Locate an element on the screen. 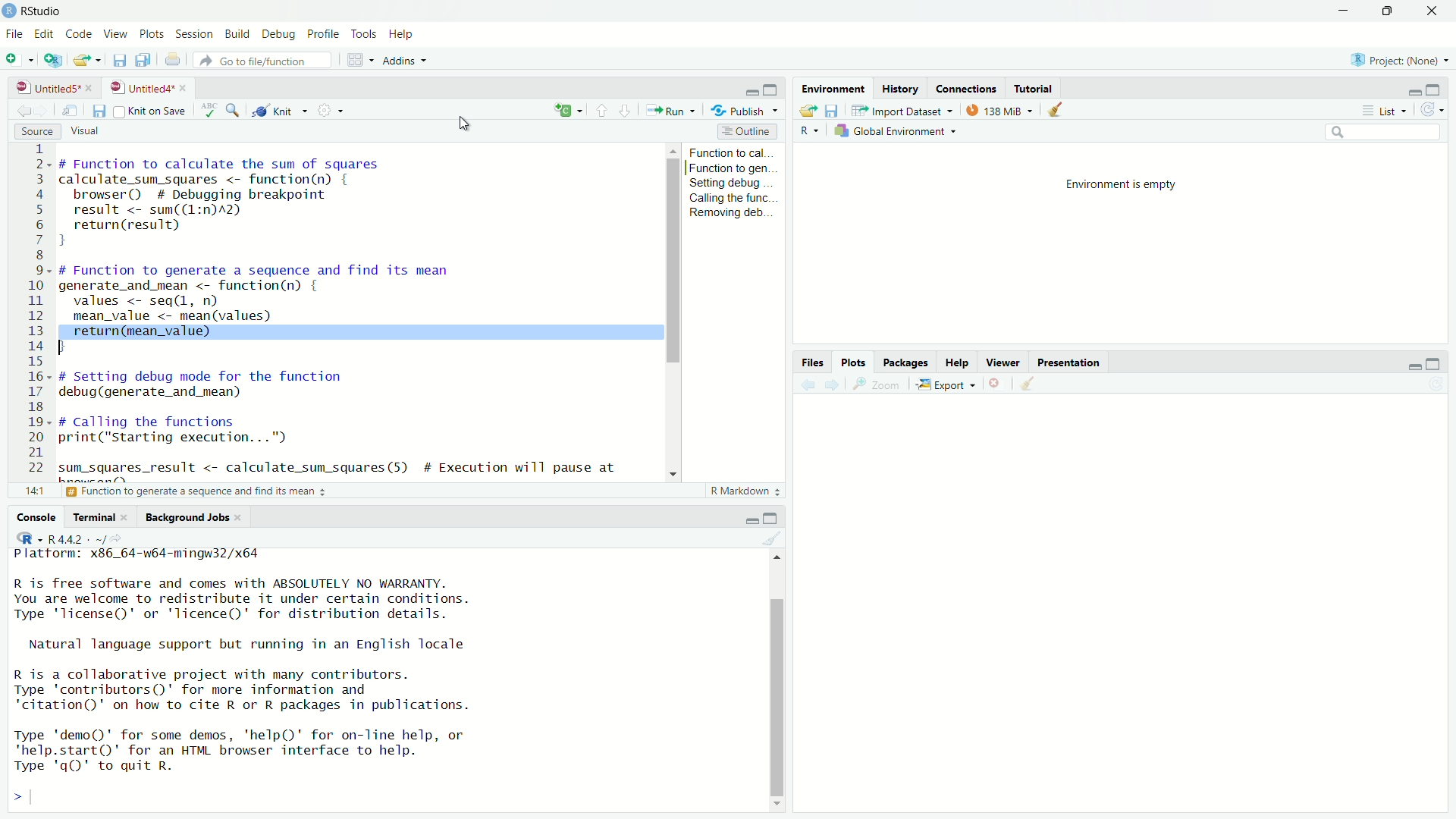  close is located at coordinates (96, 86).